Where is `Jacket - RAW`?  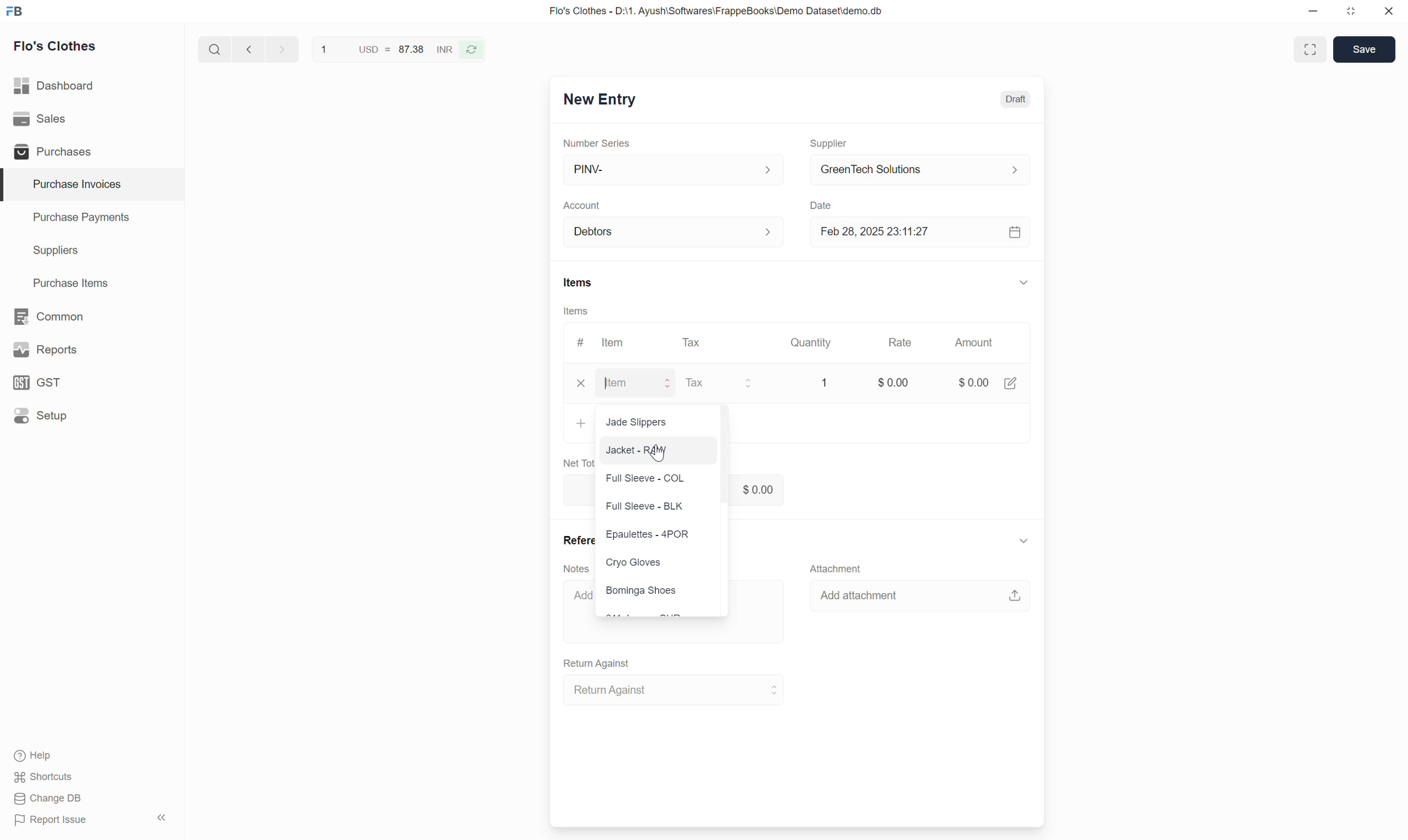
Jacket - RAW is located at coordinates (658, 451).